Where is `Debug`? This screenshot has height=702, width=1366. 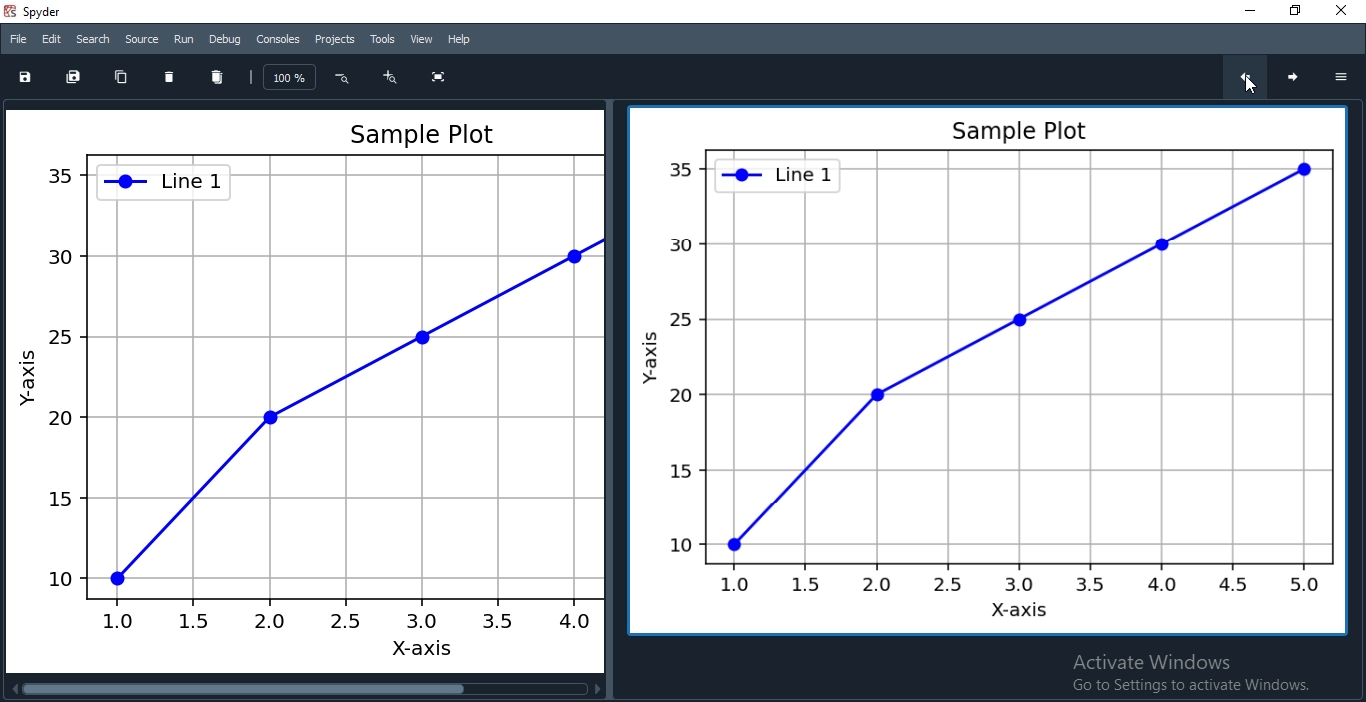
Debug is located at coordinates (223, 39).